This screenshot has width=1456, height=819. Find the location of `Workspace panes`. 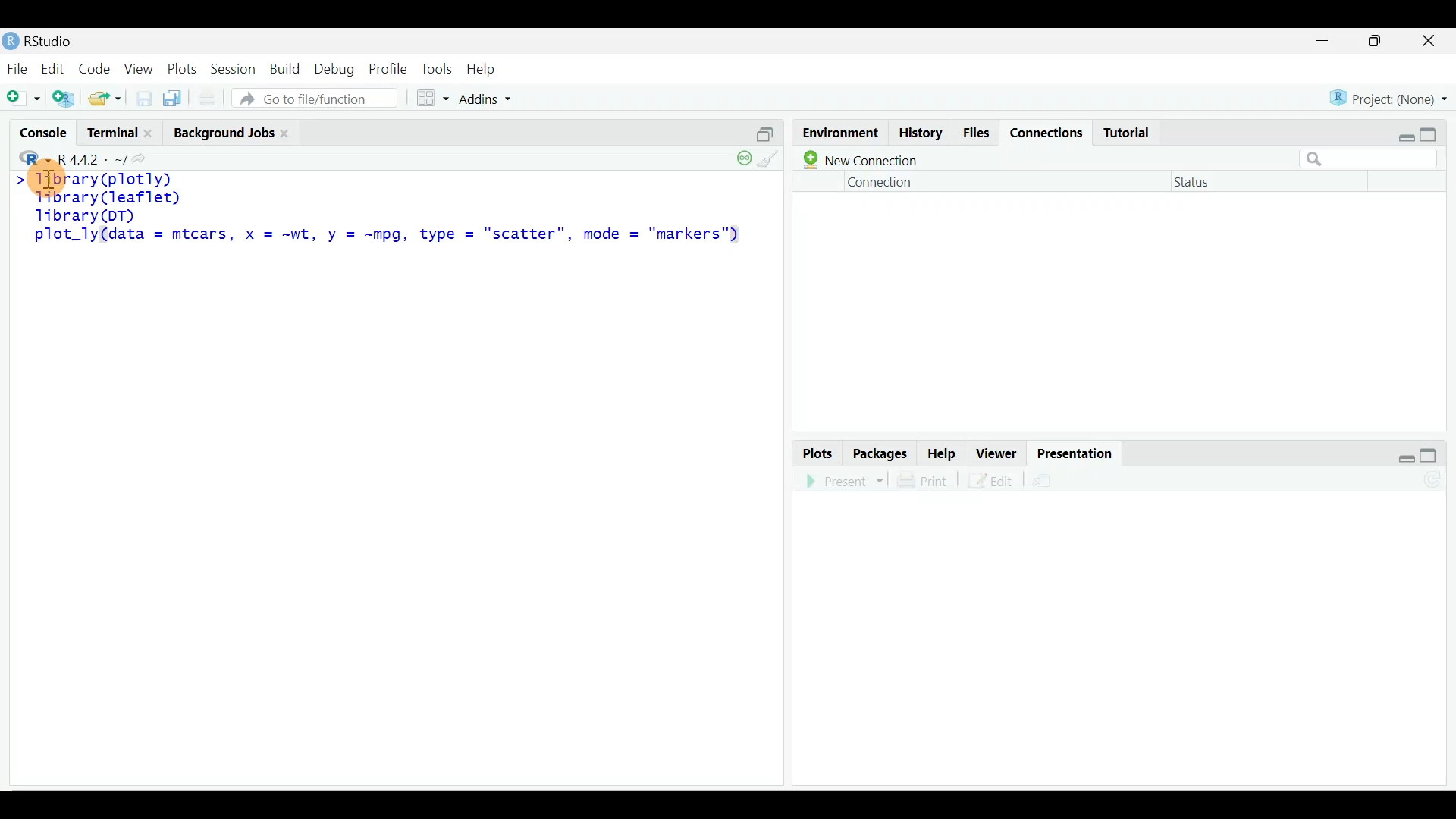

Workspace panes is located at coordinates (432, 97).